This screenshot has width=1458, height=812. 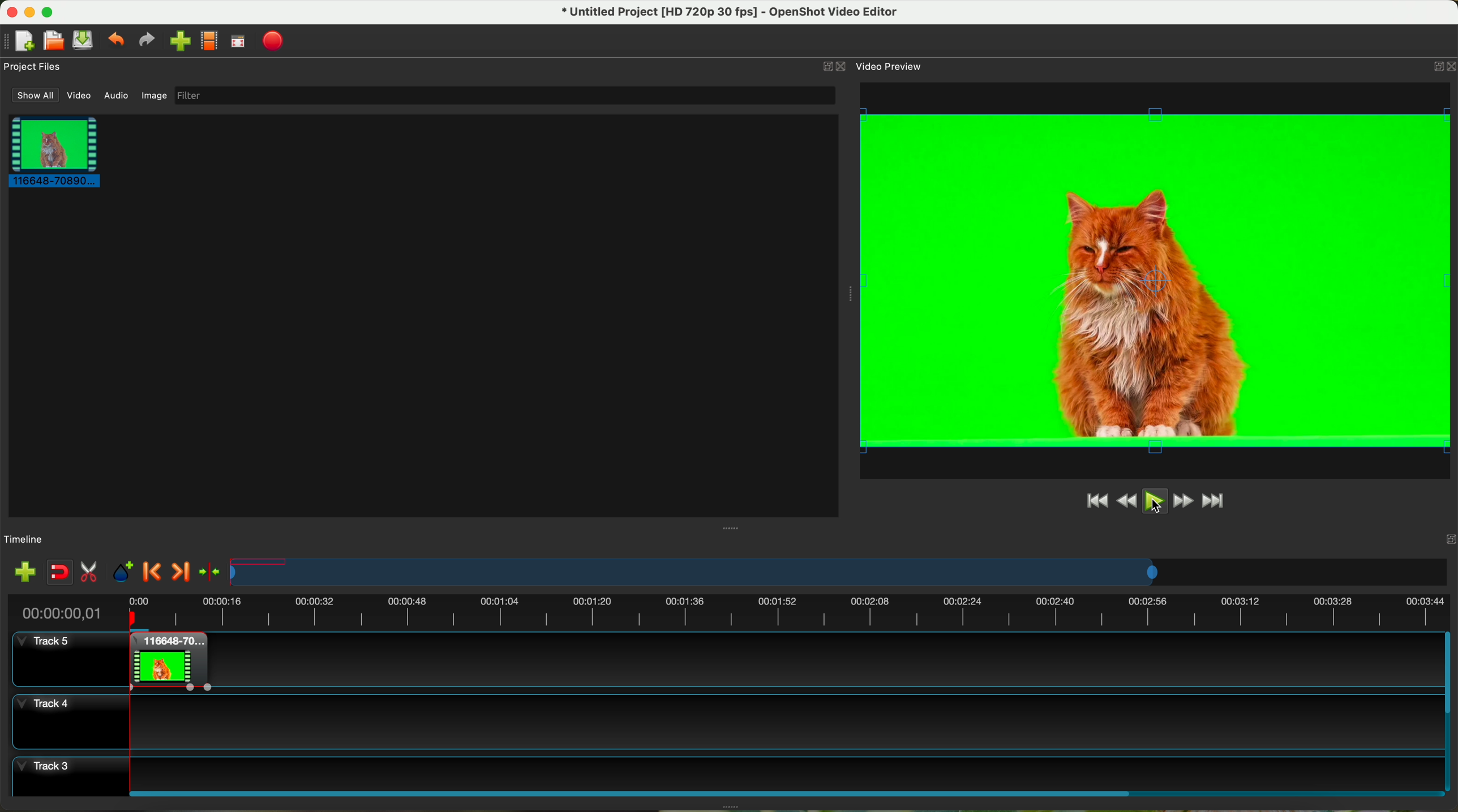 I want to click on cursor, so click(x=1155, y=513).